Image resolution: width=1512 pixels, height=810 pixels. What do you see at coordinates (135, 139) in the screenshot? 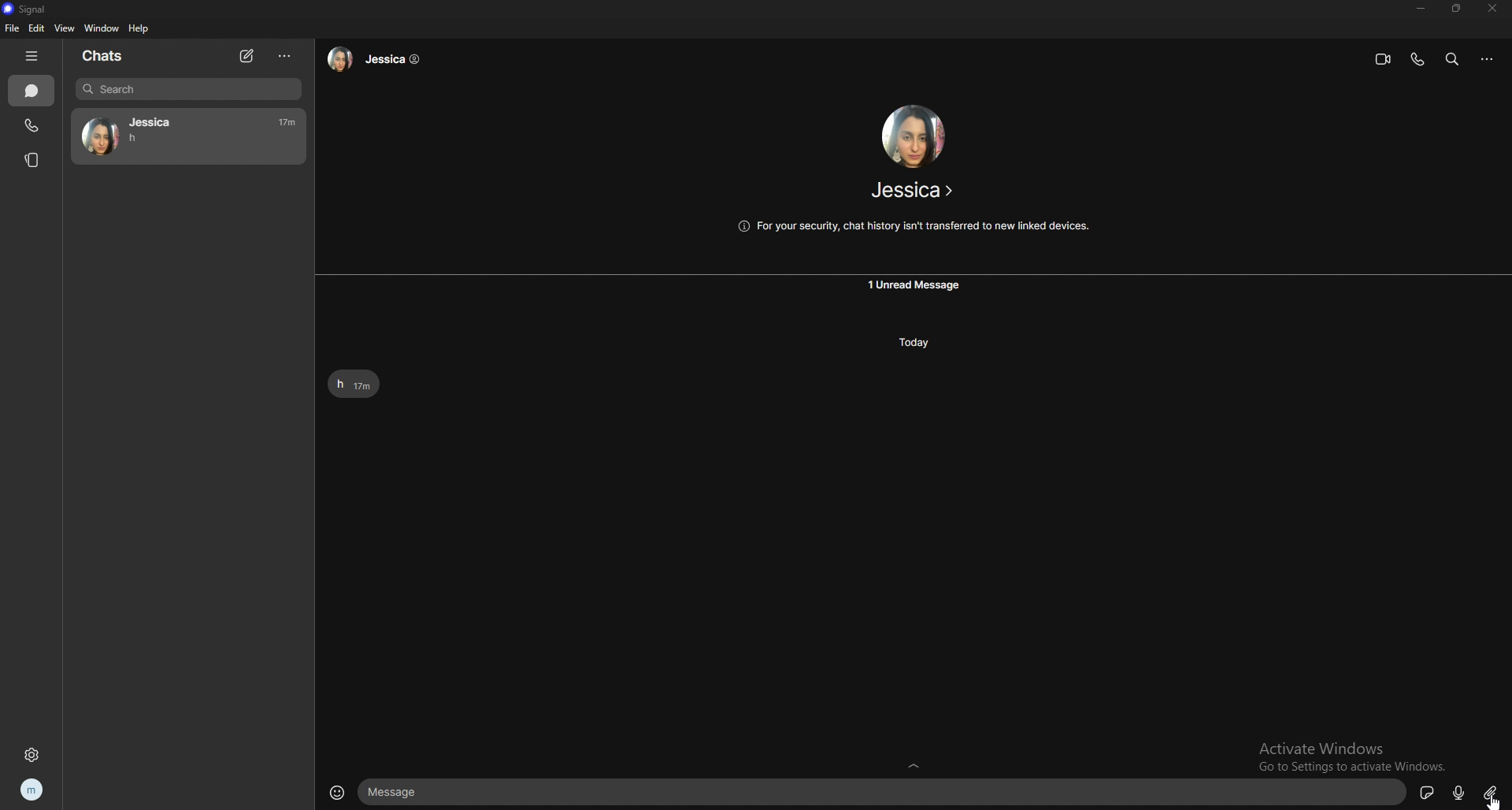
I see `h` at bounding box center [135, 139].